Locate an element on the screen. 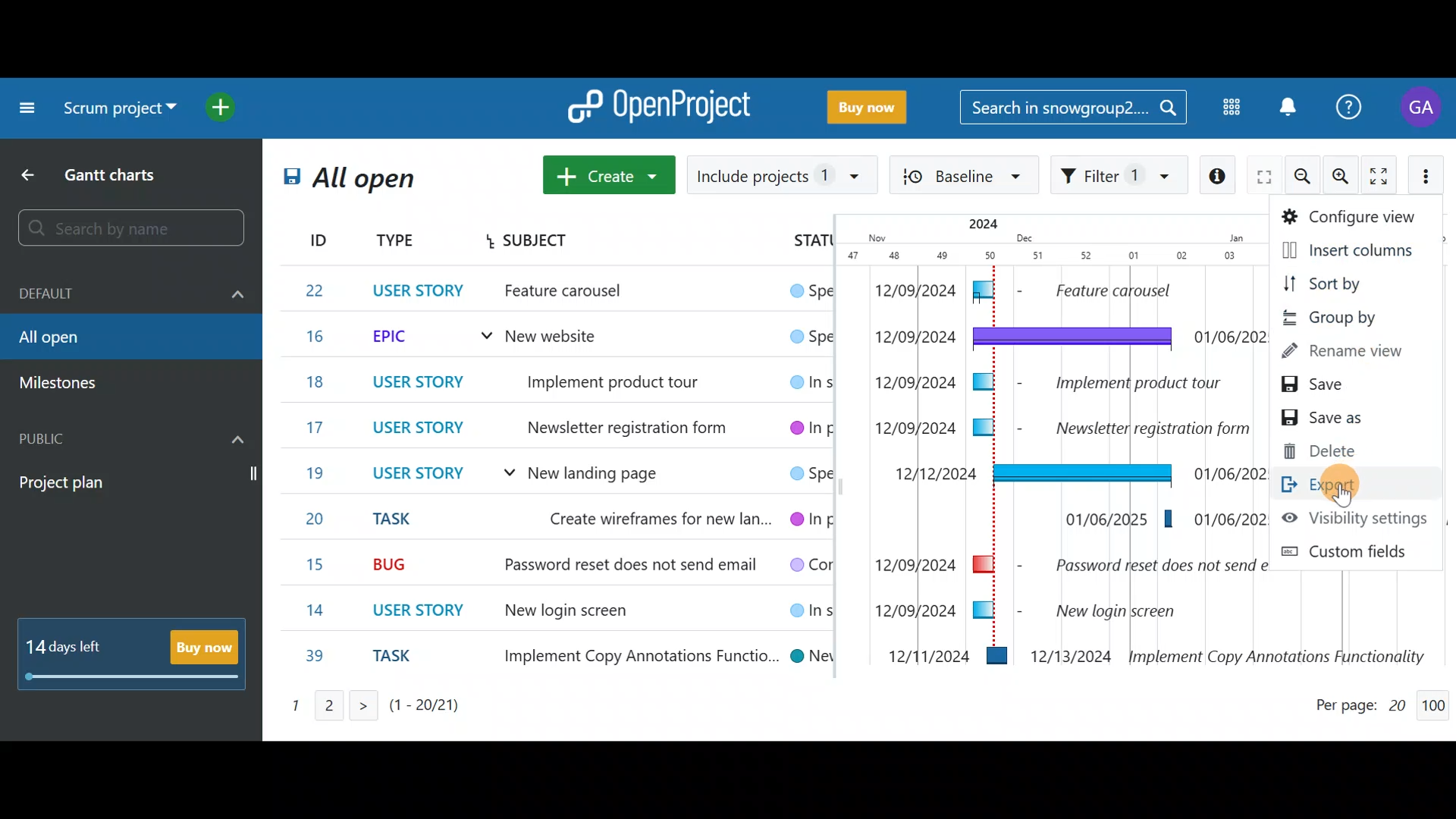 The width and height of the screenshot is (1456, 819). More actions is located at coordinates (1429, 174).